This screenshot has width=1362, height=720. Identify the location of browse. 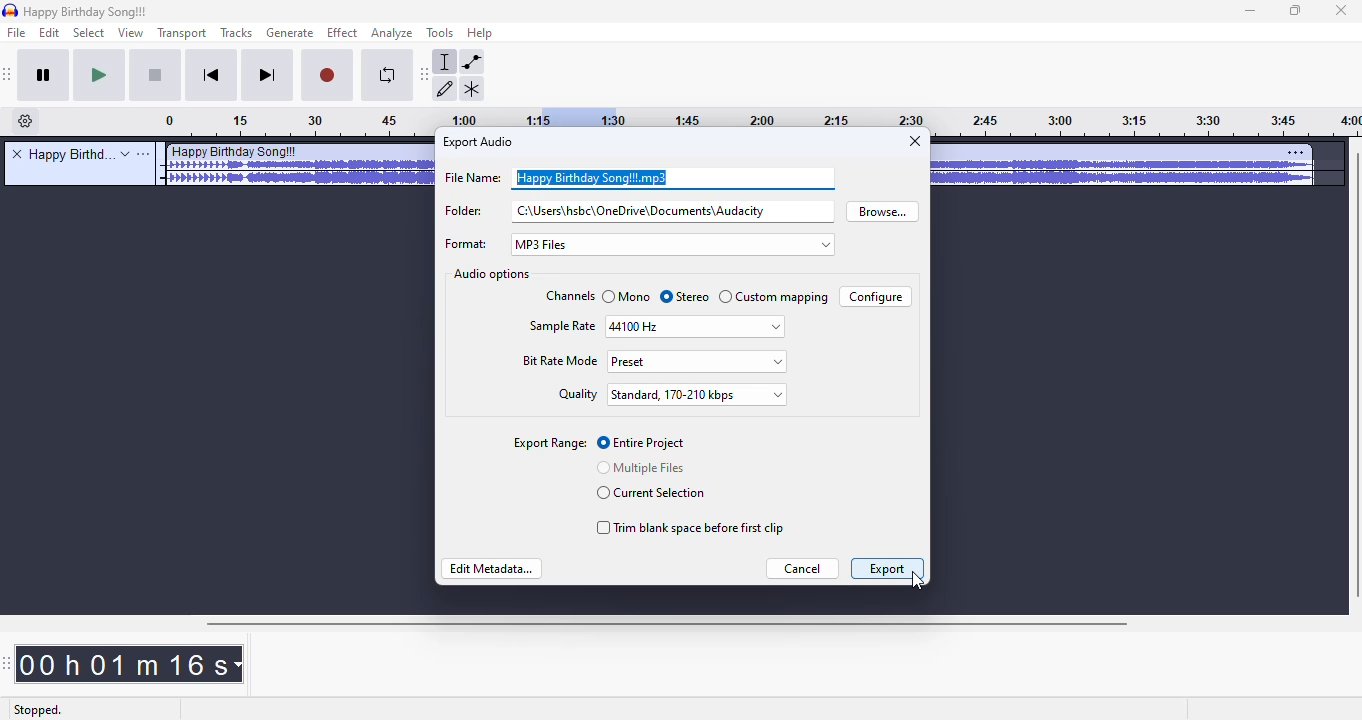
(884, 211).